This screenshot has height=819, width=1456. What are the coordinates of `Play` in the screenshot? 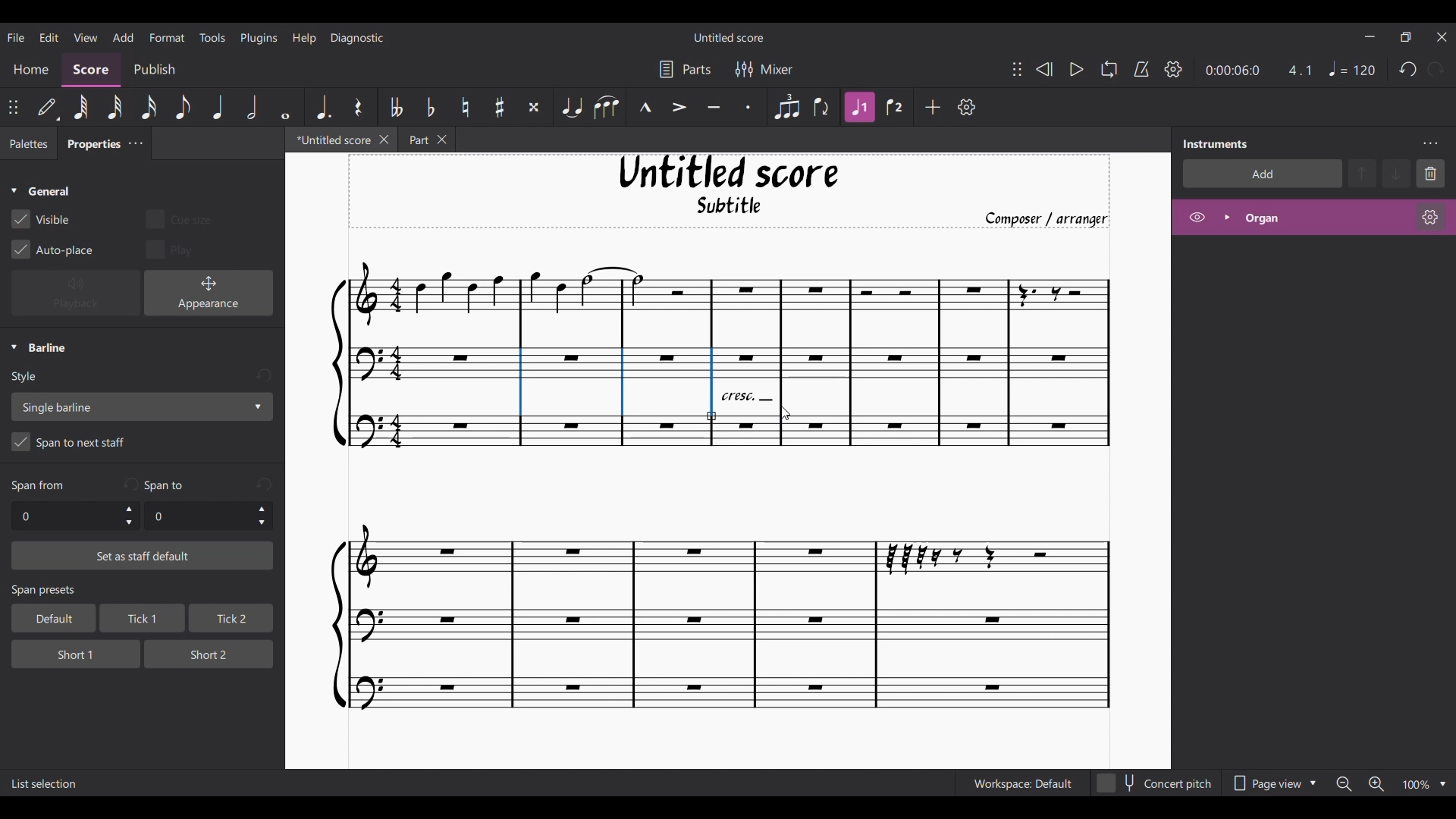 It's located at (1076, 70).